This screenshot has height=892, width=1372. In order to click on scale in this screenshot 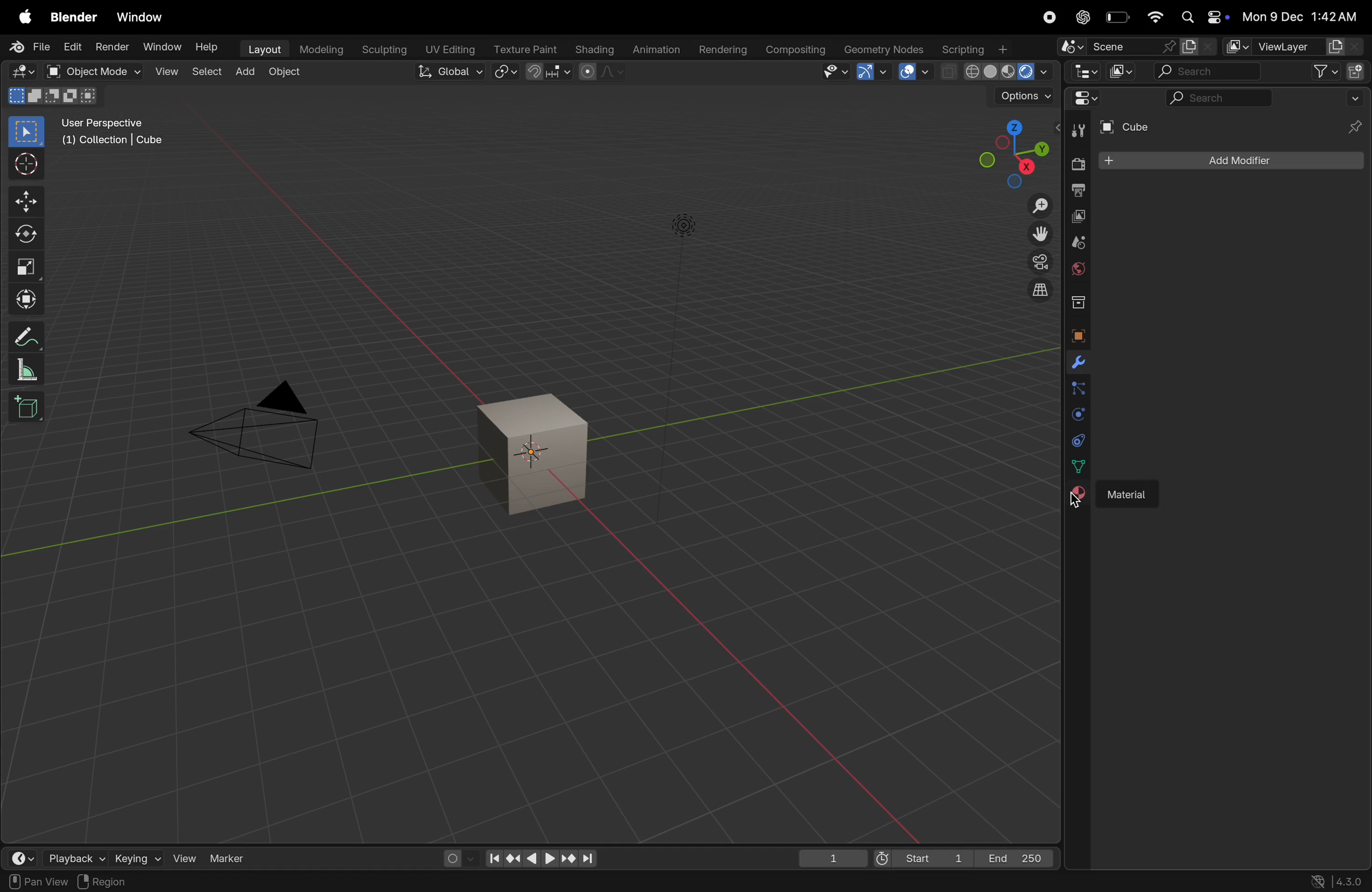, I will do `click(25, 266)`.